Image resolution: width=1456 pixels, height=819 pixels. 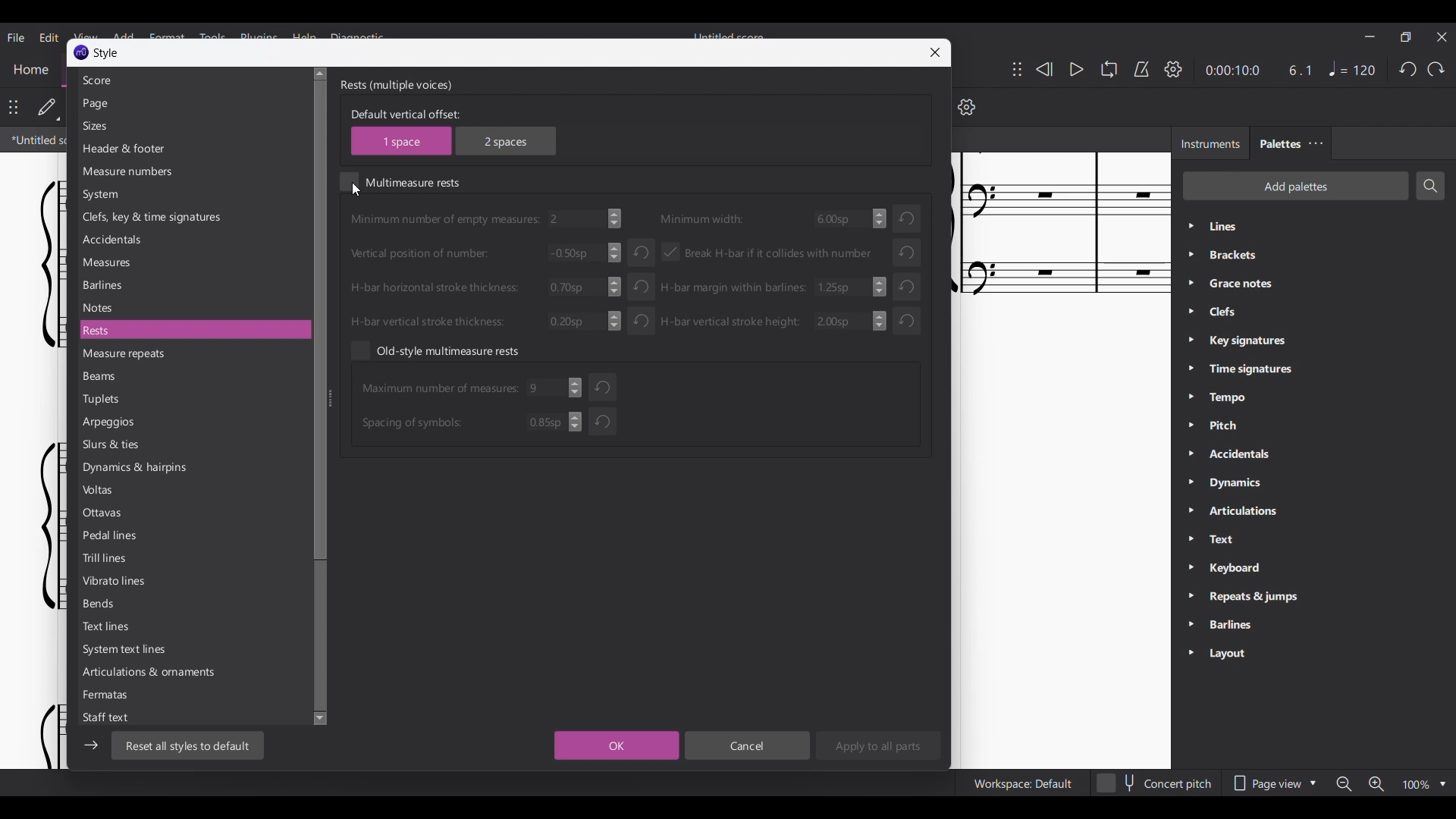 What do you see at coordinates (193, 513) in the screenshot?
I see `Ottavas` at bounding box center [193, 513].